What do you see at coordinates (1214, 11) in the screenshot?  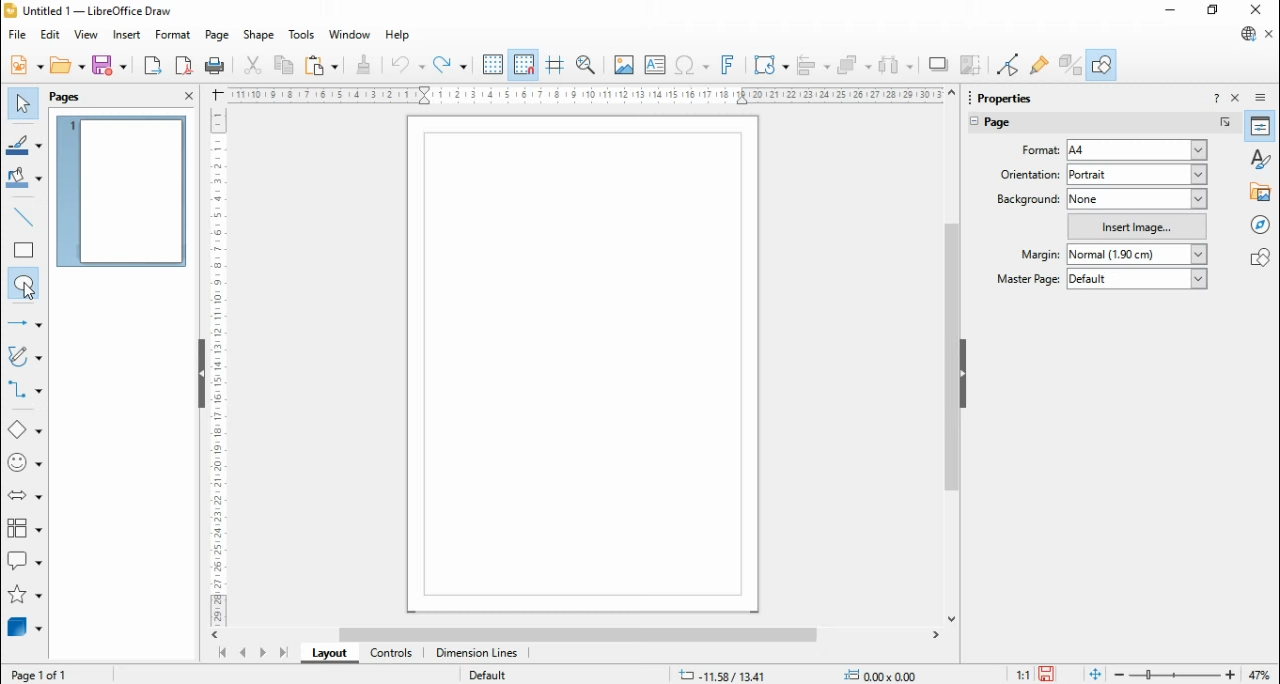 I see `restore` at bounding box center [1214, 11].